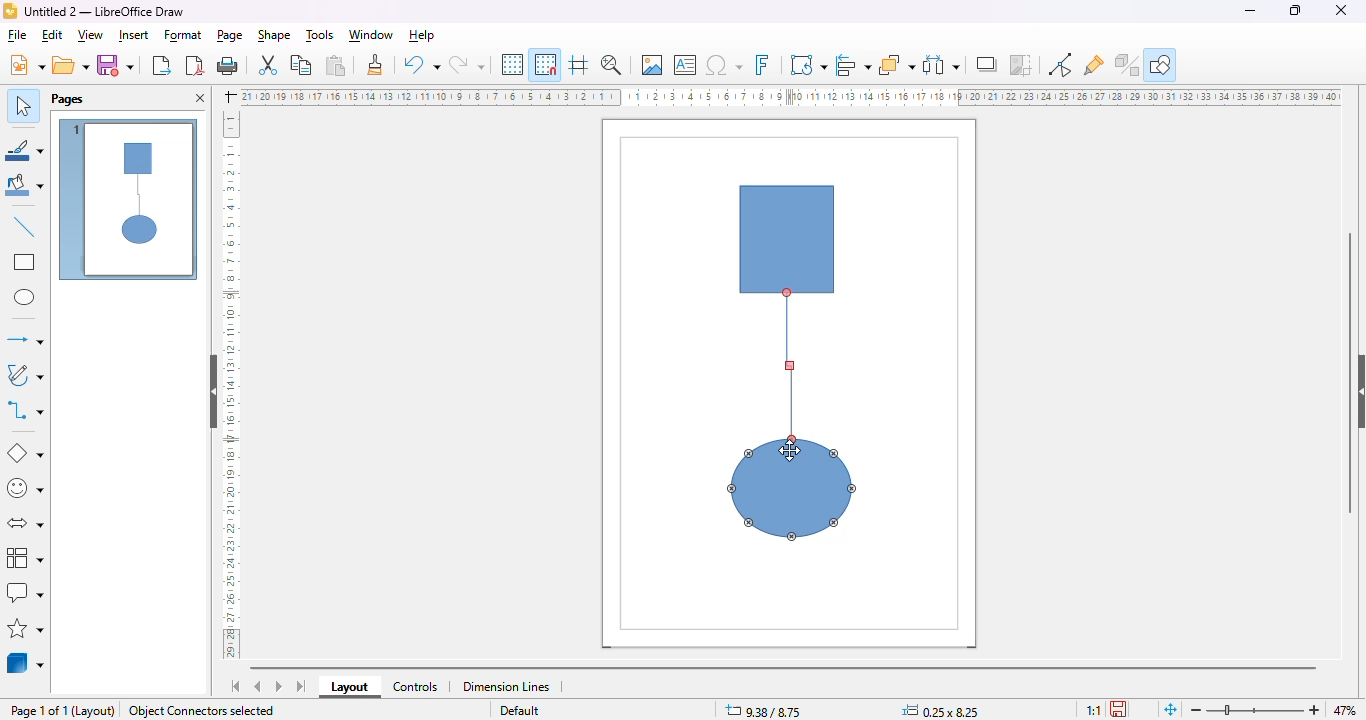 This screenshot has width=1366, height=720. Describe the element at coordinates (18, 36) in the screenshot. I see `file` at that location.